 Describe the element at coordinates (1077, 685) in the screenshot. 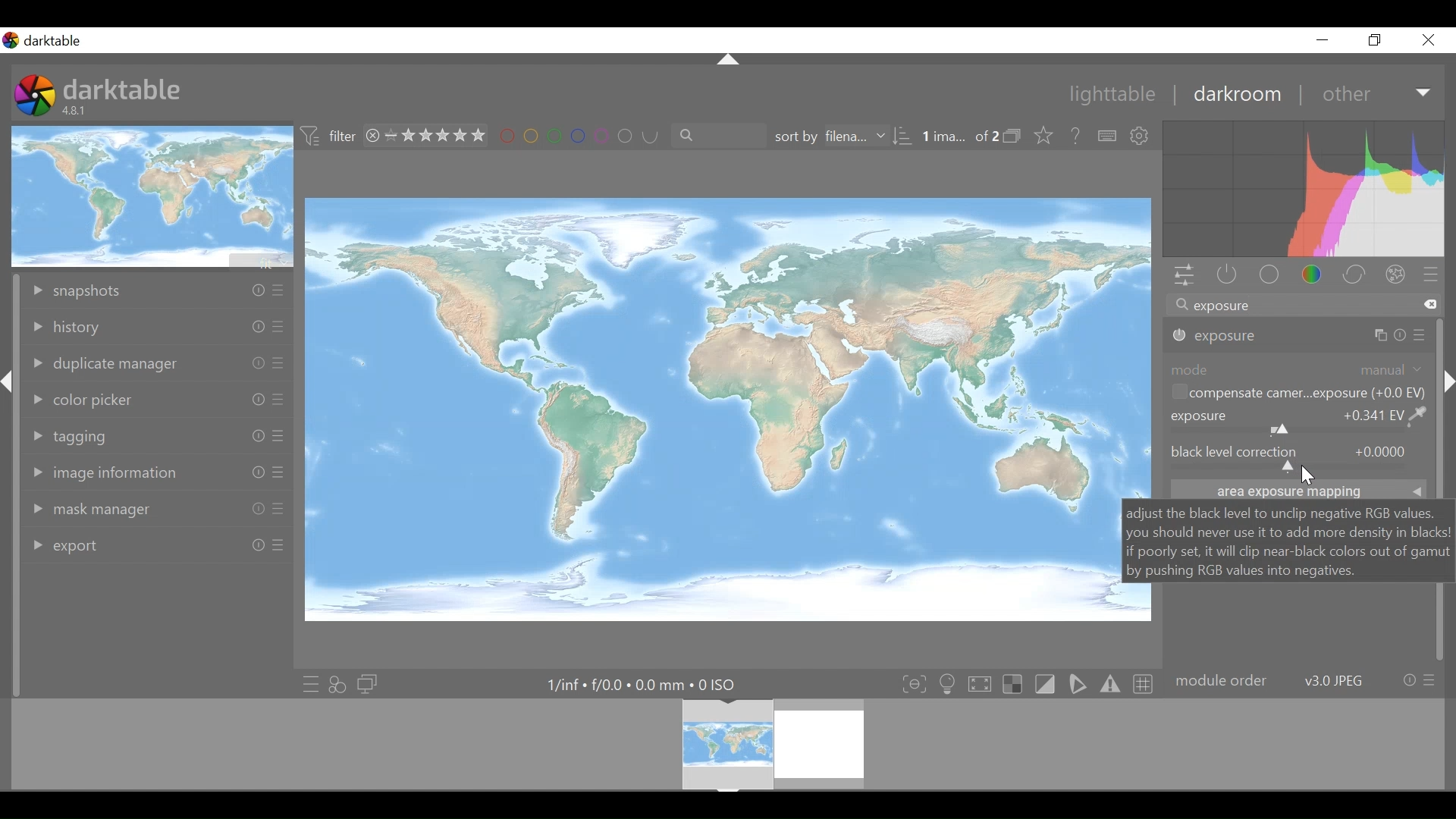

I see `toggle soft proofing` at that location.